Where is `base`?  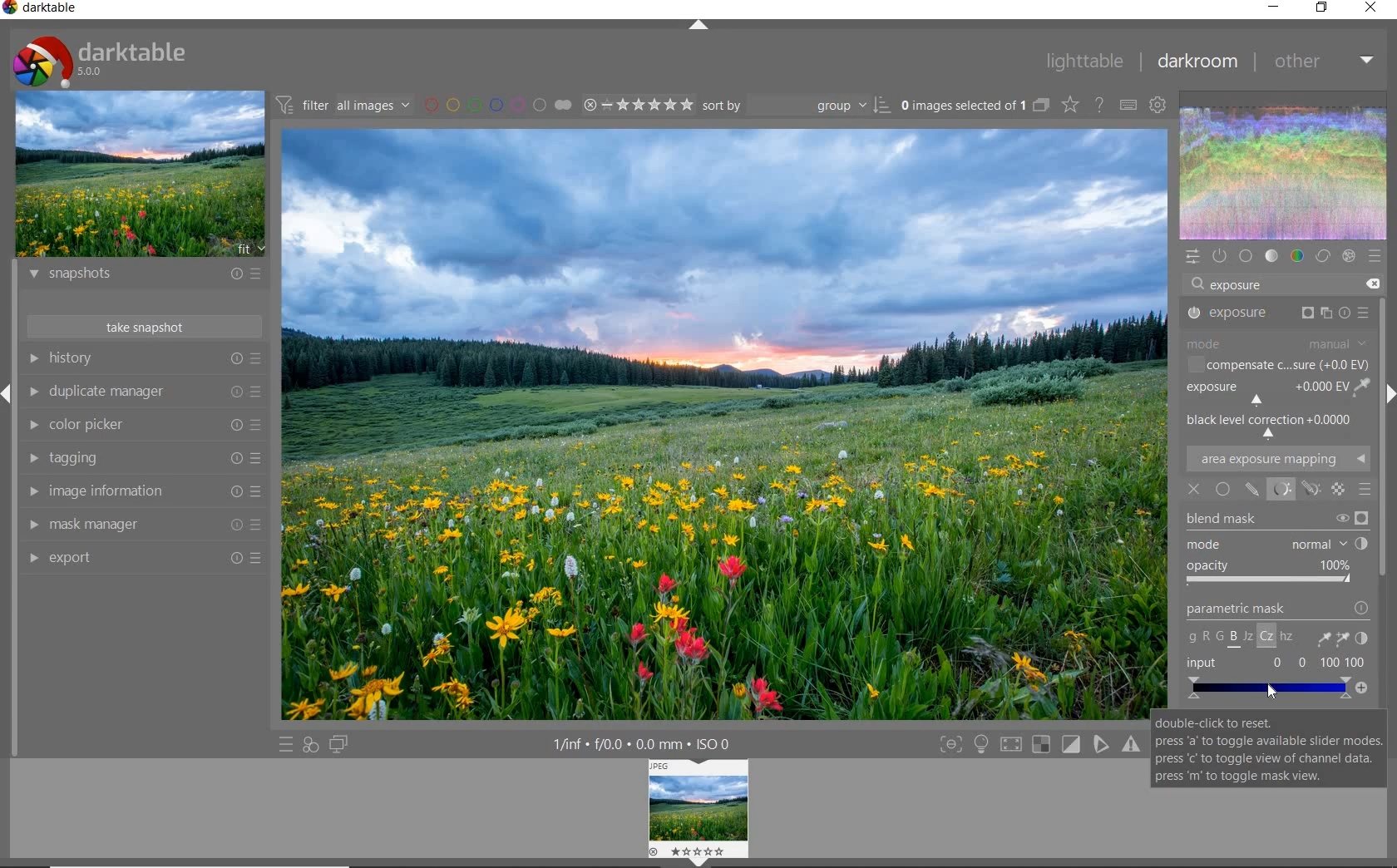 base is located at coordinates (1247, 256).